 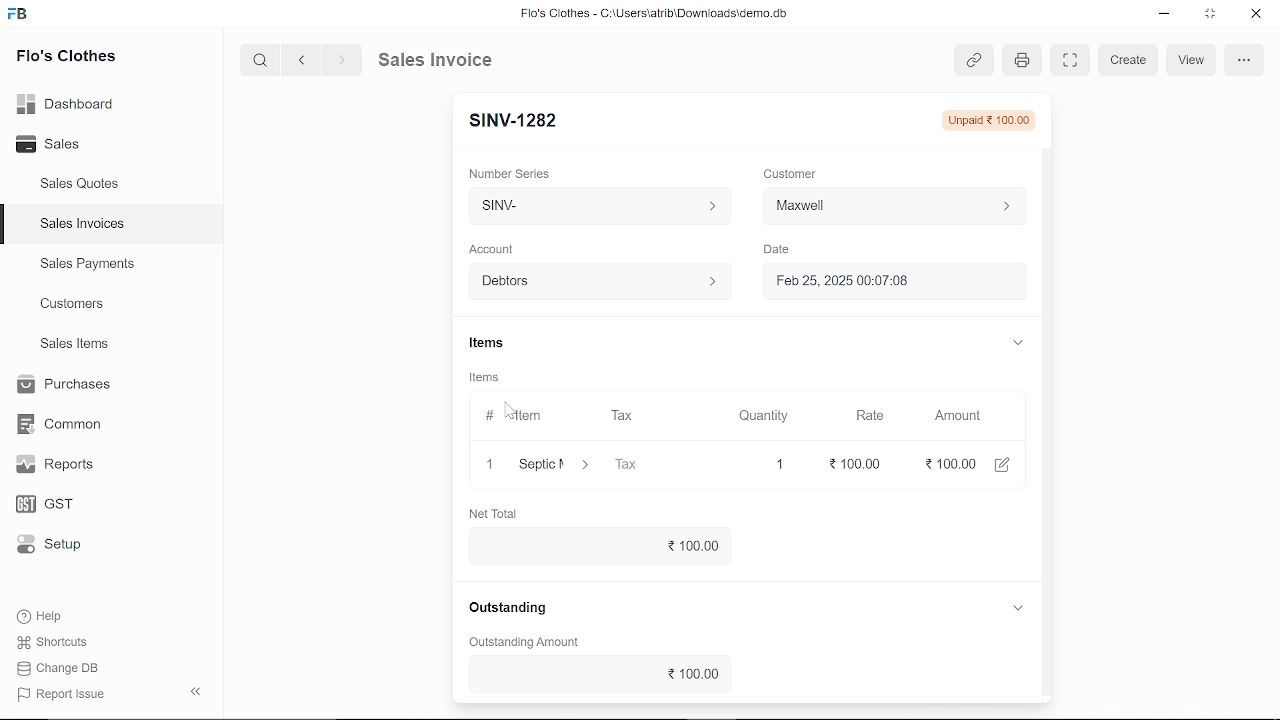 What do you see at coordinates (62, 424) in the screenshot?
I see `Common` at bounding box center [62, 424].